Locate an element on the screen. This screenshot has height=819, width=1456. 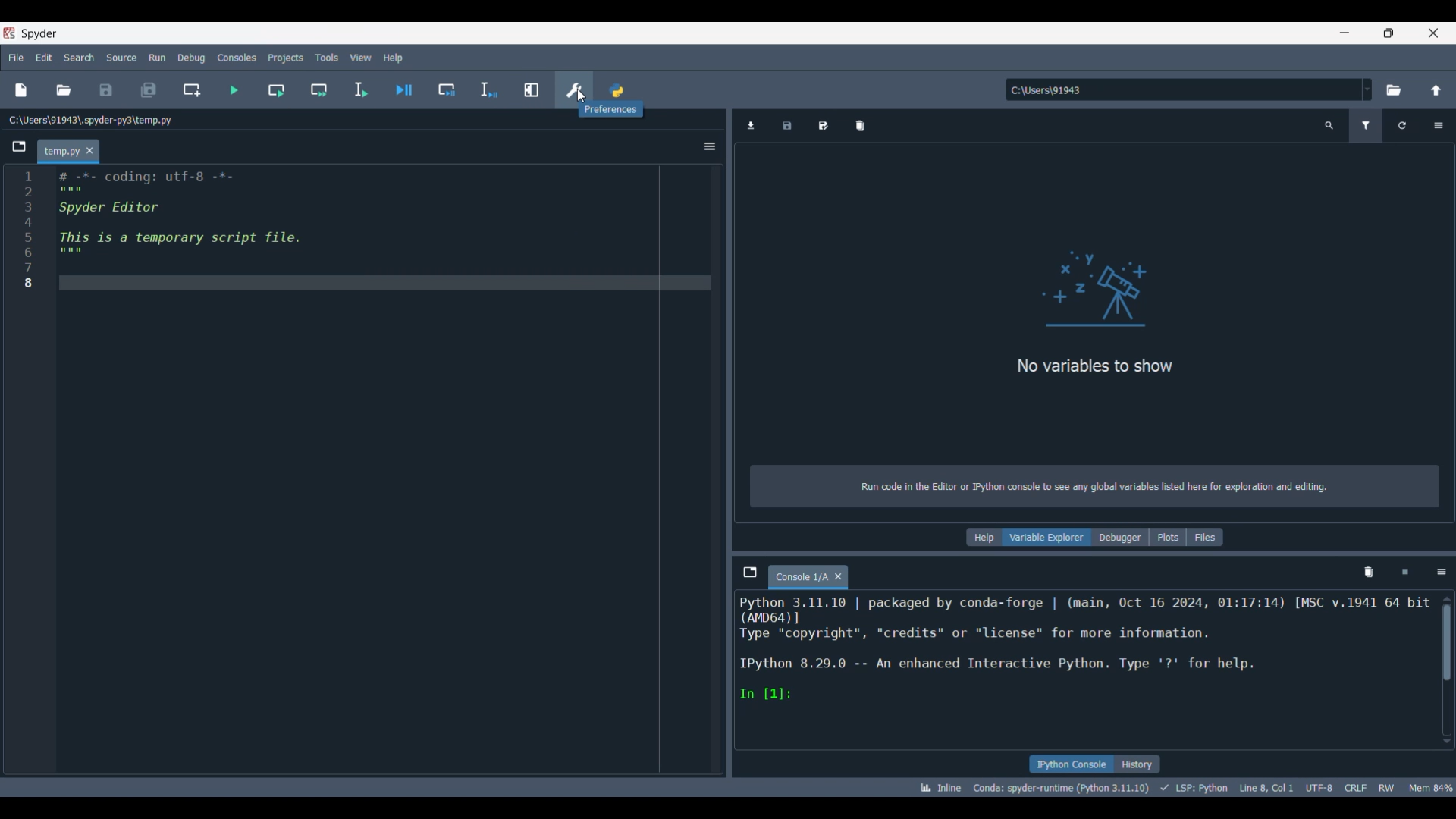
Projects menu is located at coordinates (286, 58).